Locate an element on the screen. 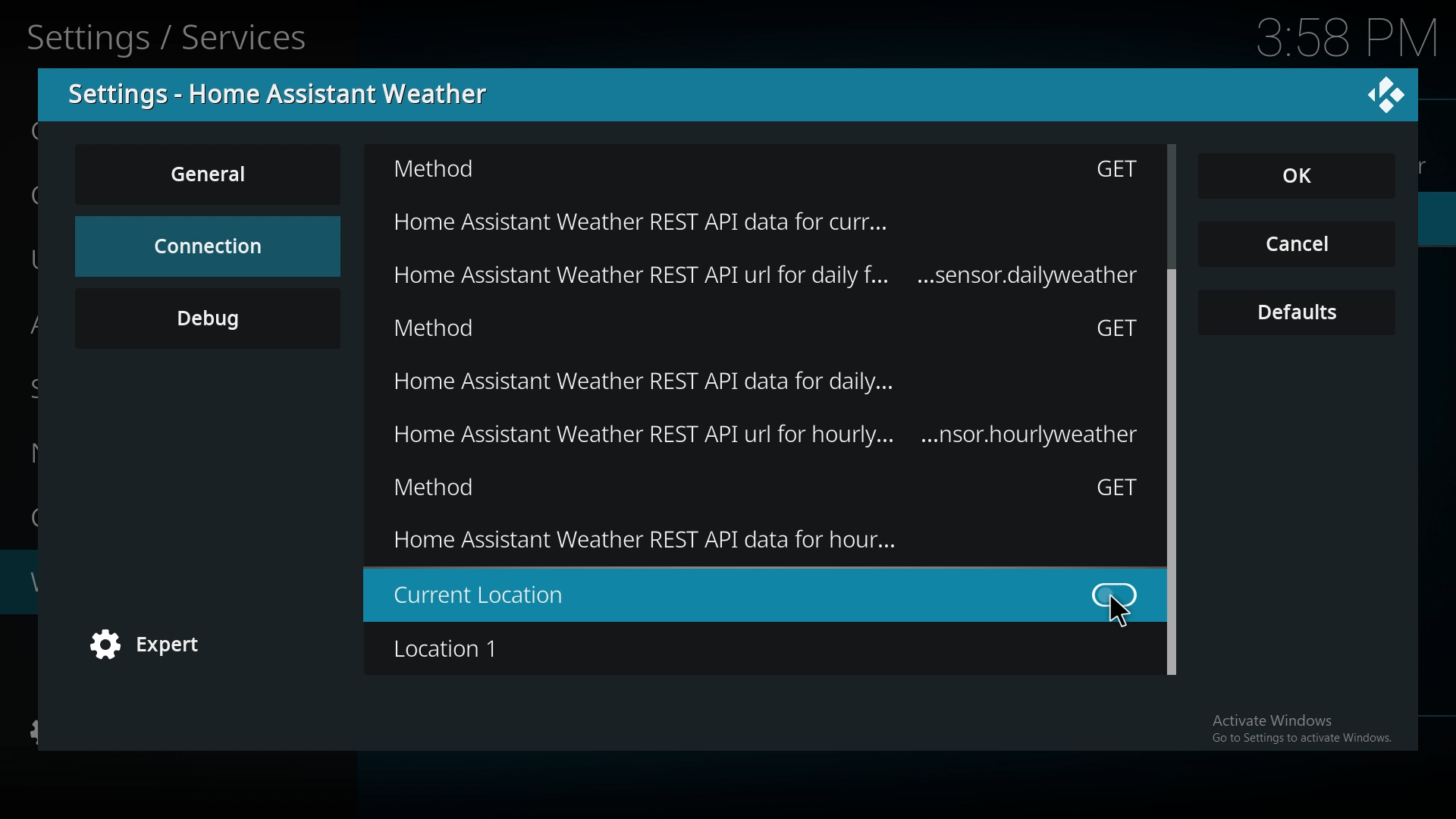  scroll bar is located at coordinates (1174, 408).